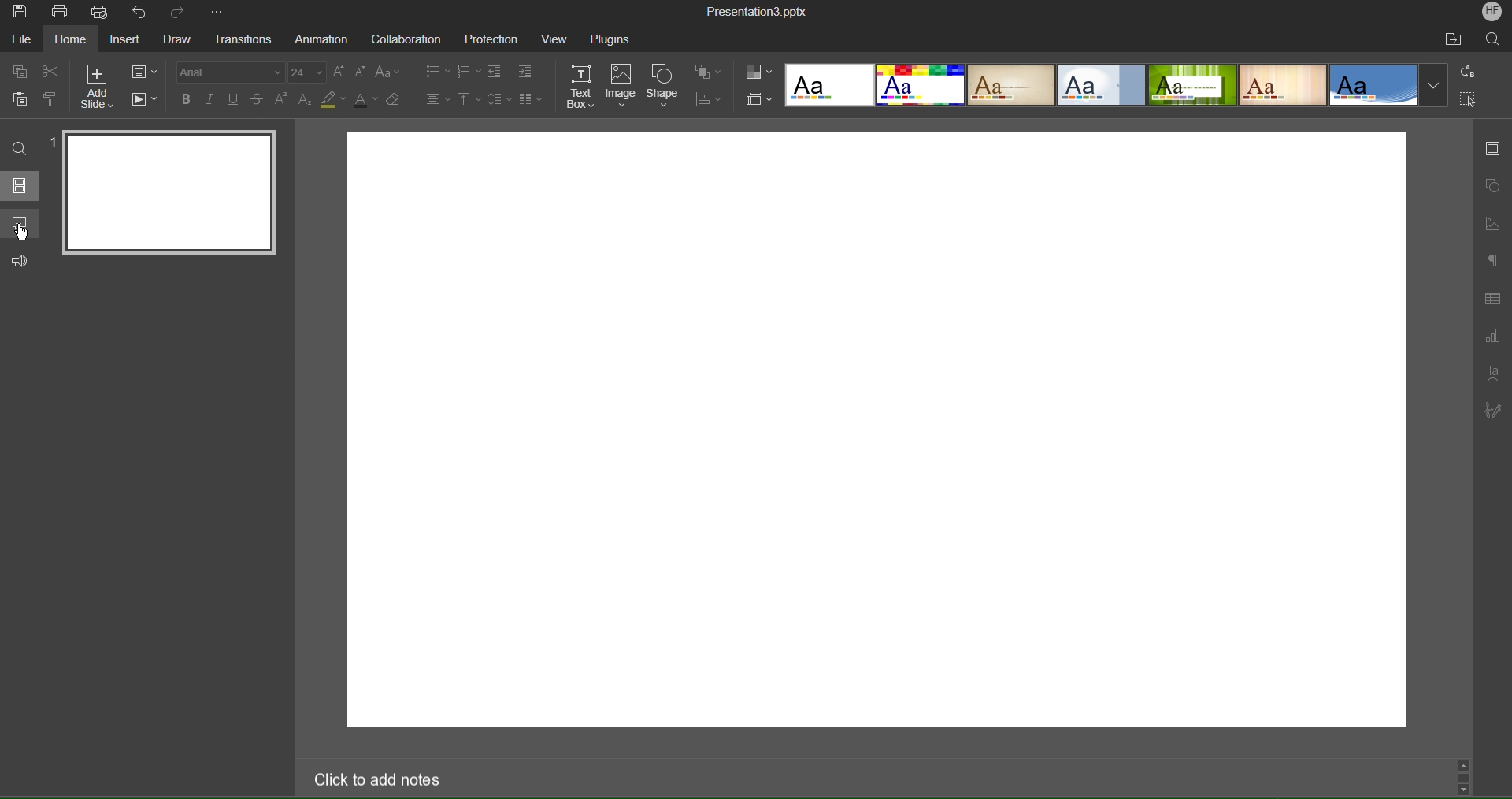 This screenshot has width=1512, height=799. I want to click on Account, so click(1490, 13).